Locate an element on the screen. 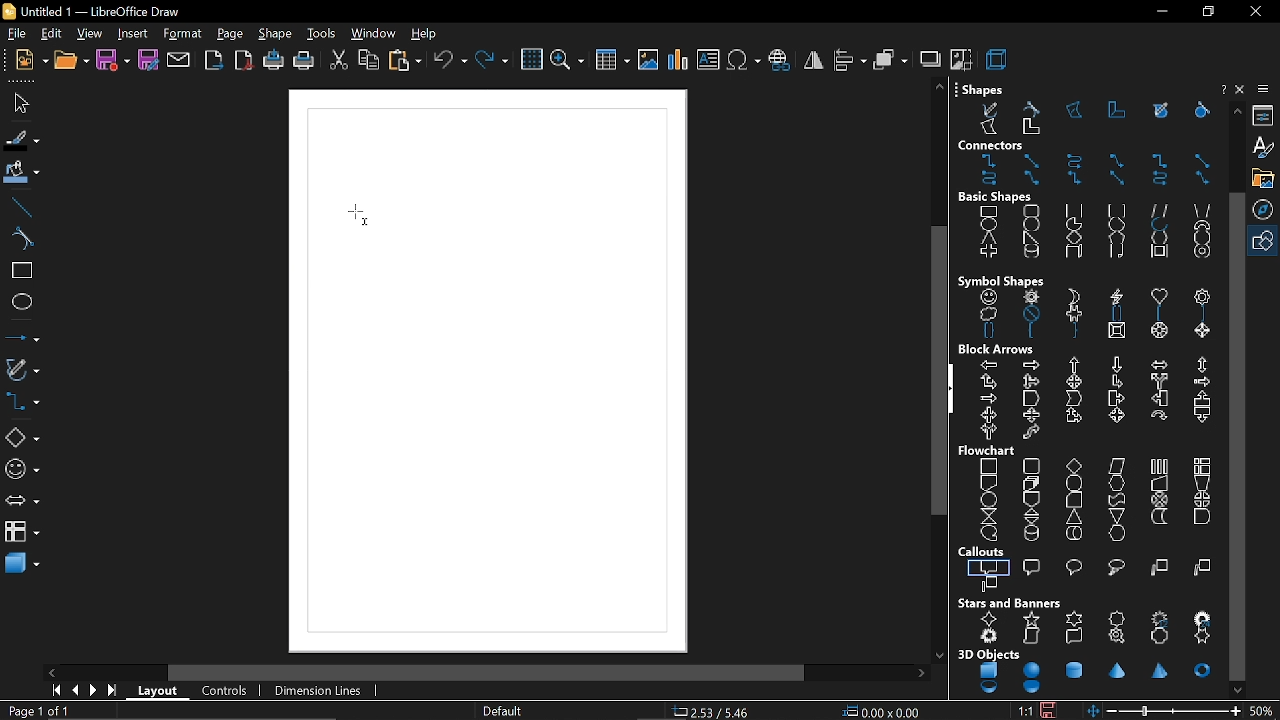 The width and height of the screenshot is (1280, 720). connector ends with arrow is located at coordinates (990, 161).